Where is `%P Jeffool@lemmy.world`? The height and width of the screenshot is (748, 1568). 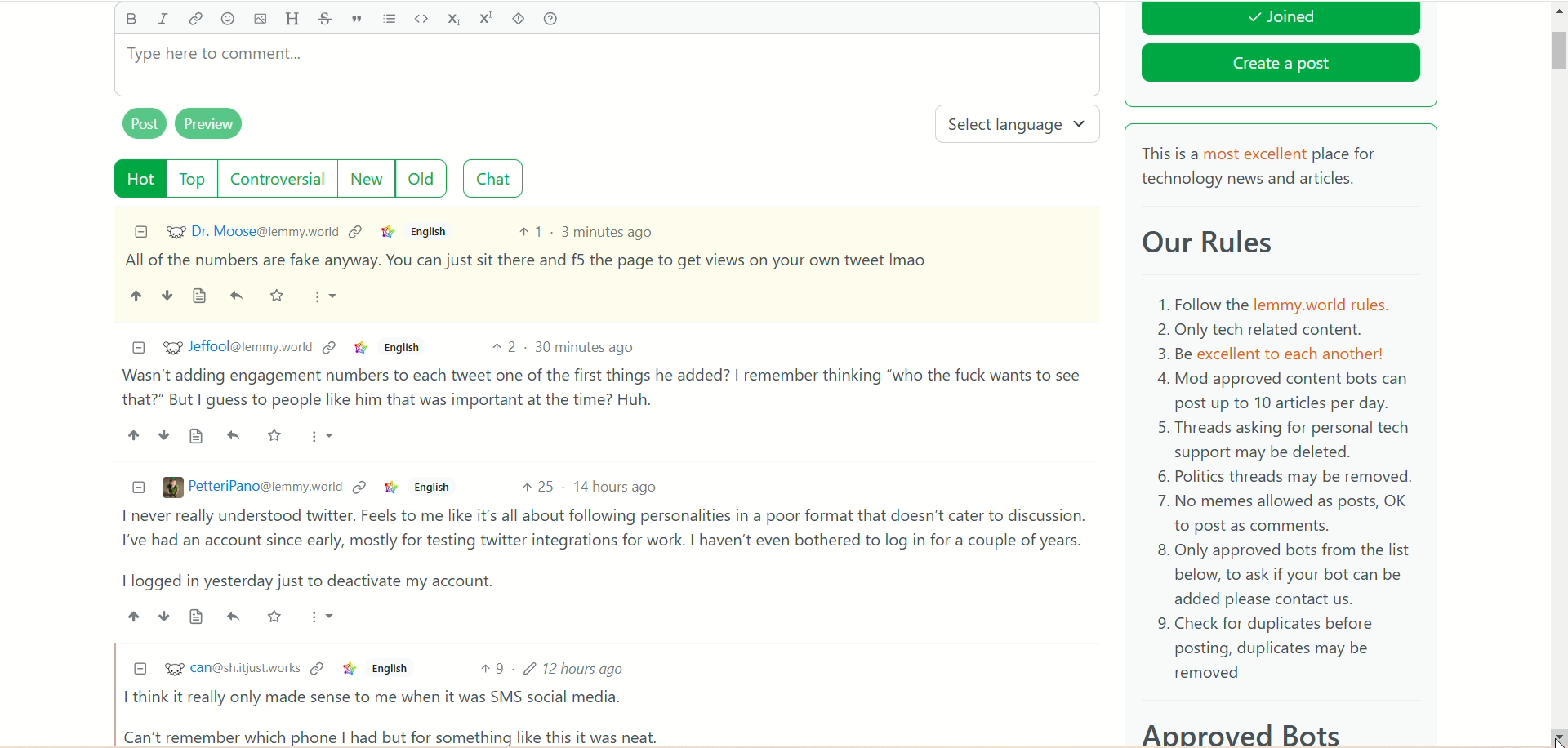
%P Jeffool@lemmy.world is located at coordinates (237, 346).